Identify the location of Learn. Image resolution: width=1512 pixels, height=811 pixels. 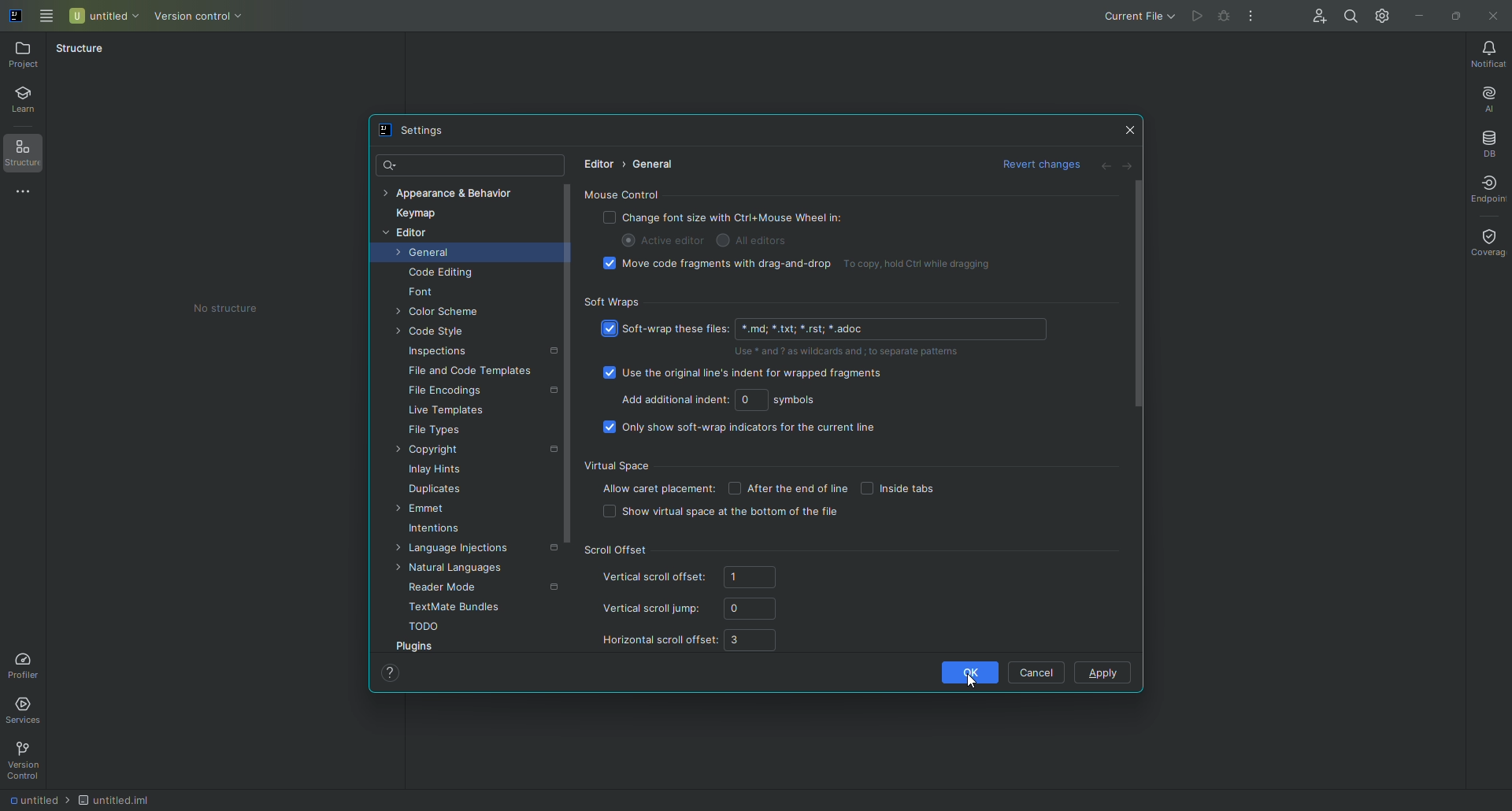
(27, 101).